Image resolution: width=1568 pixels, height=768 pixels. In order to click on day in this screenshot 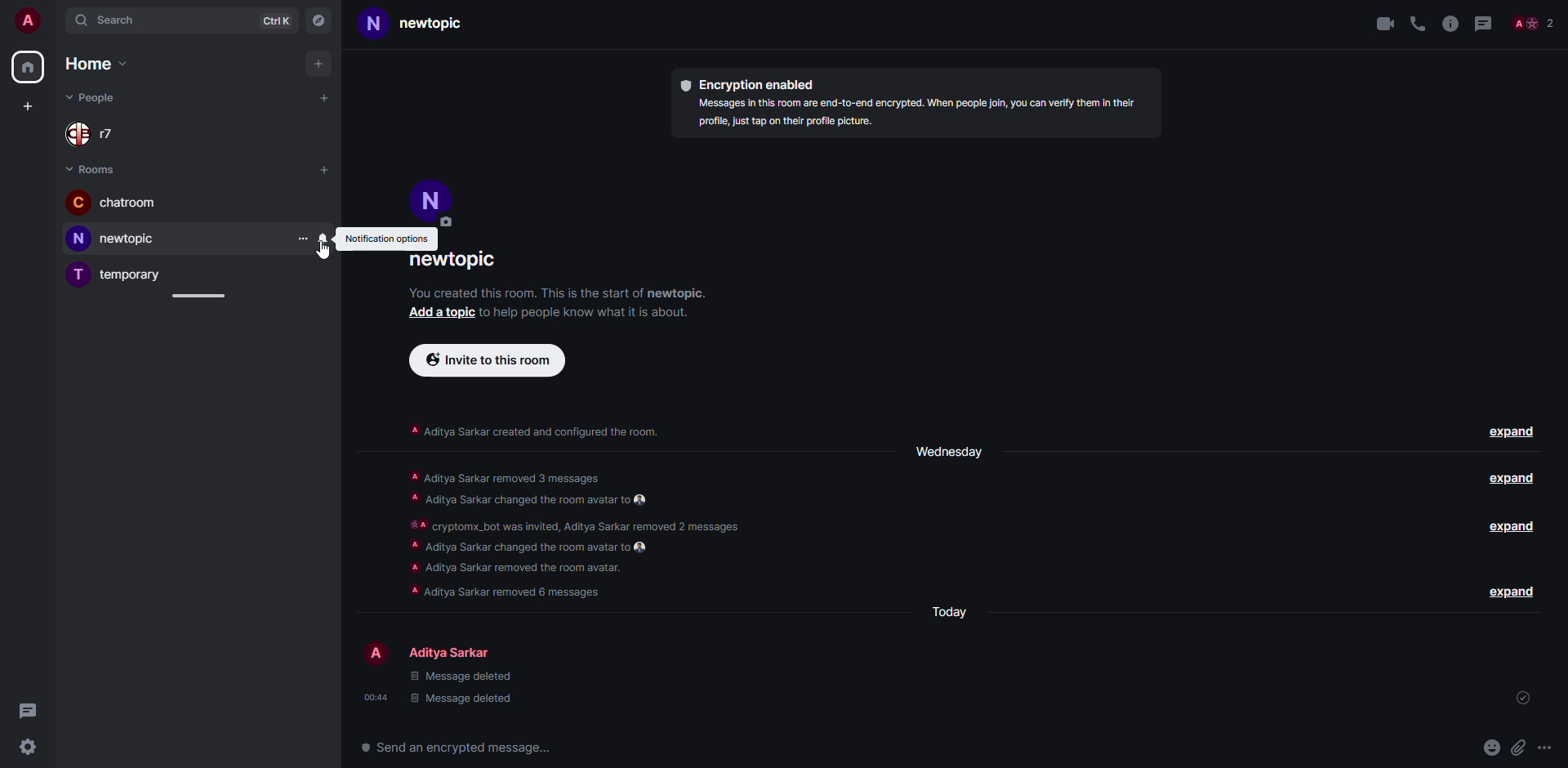, I will do `click(949, 453)`.